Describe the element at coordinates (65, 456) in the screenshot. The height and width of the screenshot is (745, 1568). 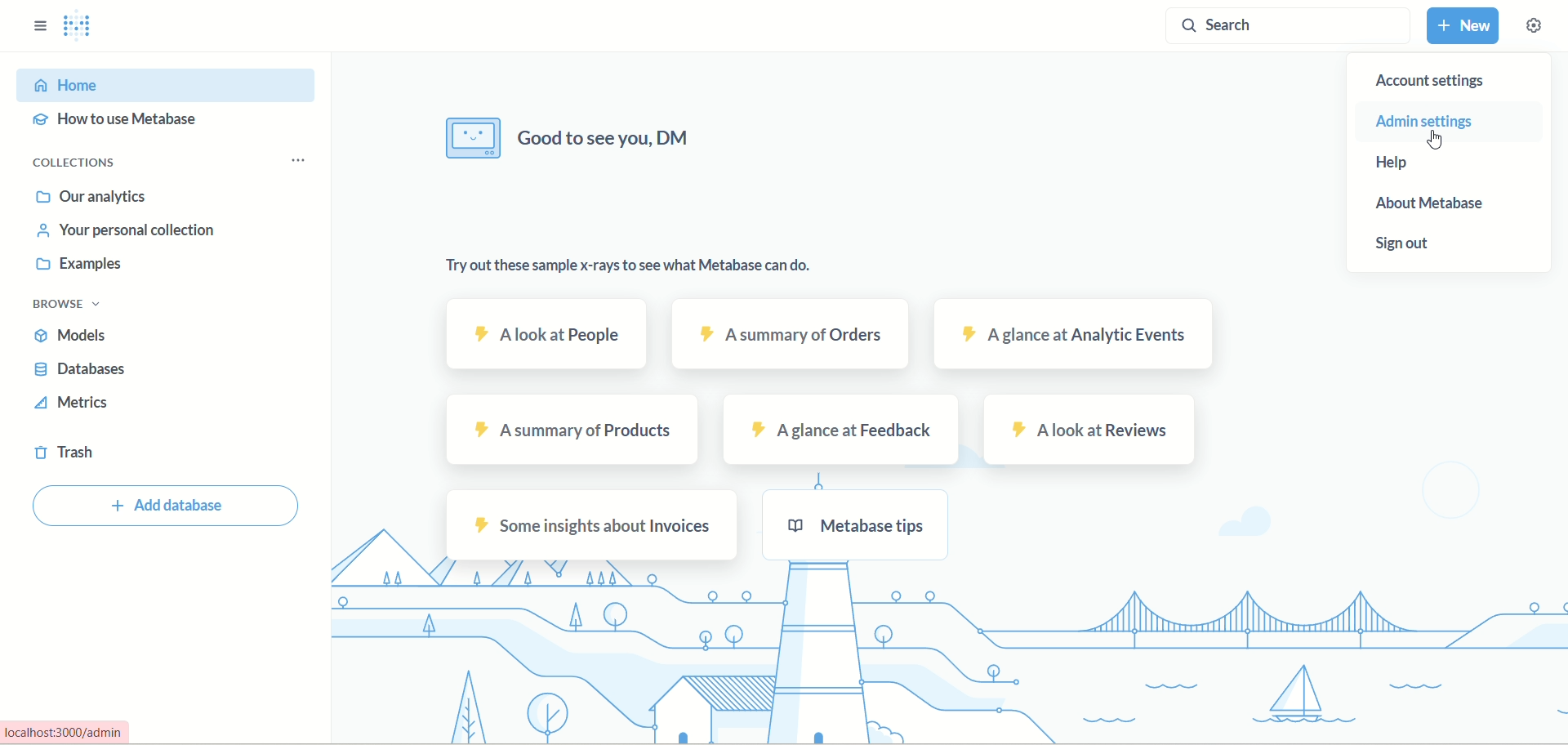
I see `trash` at that location.